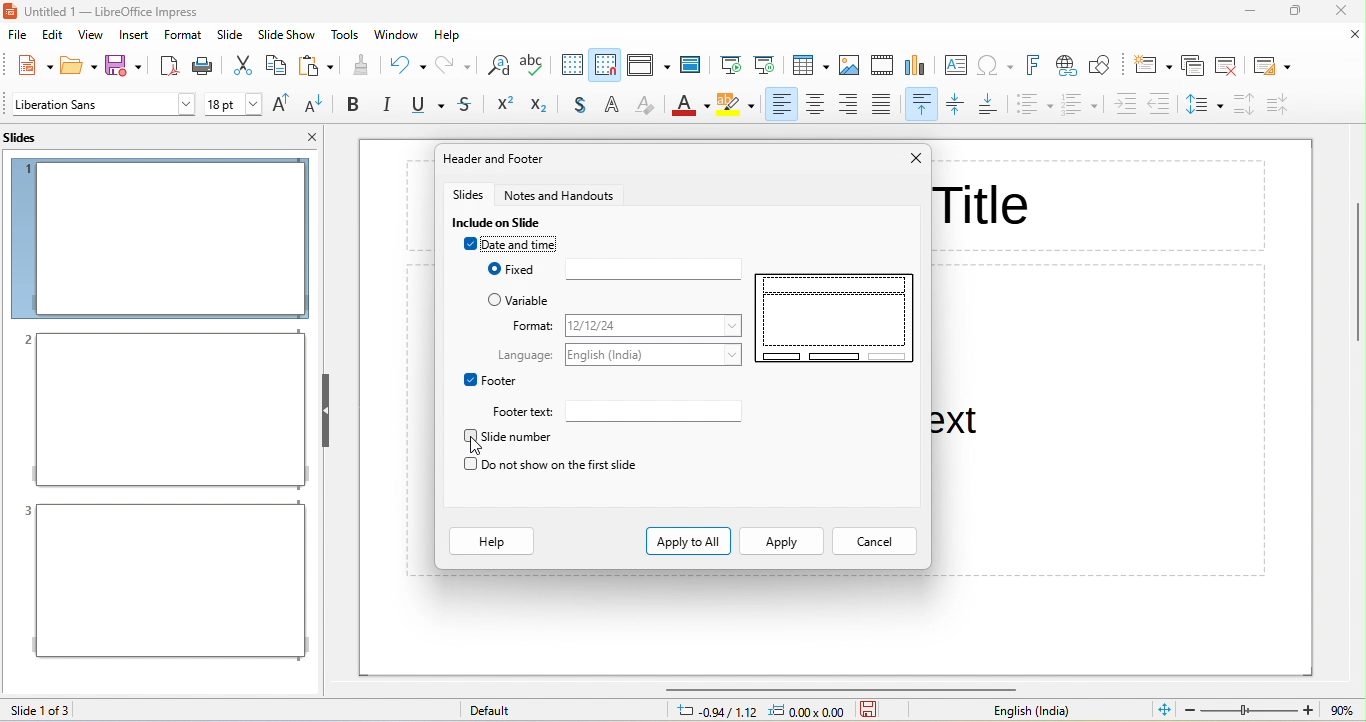 This screenshot has height=722, width=1366. Describe the element at coordinates (1192, 65) in the screenshot. I see `duplicate slide` at that location.